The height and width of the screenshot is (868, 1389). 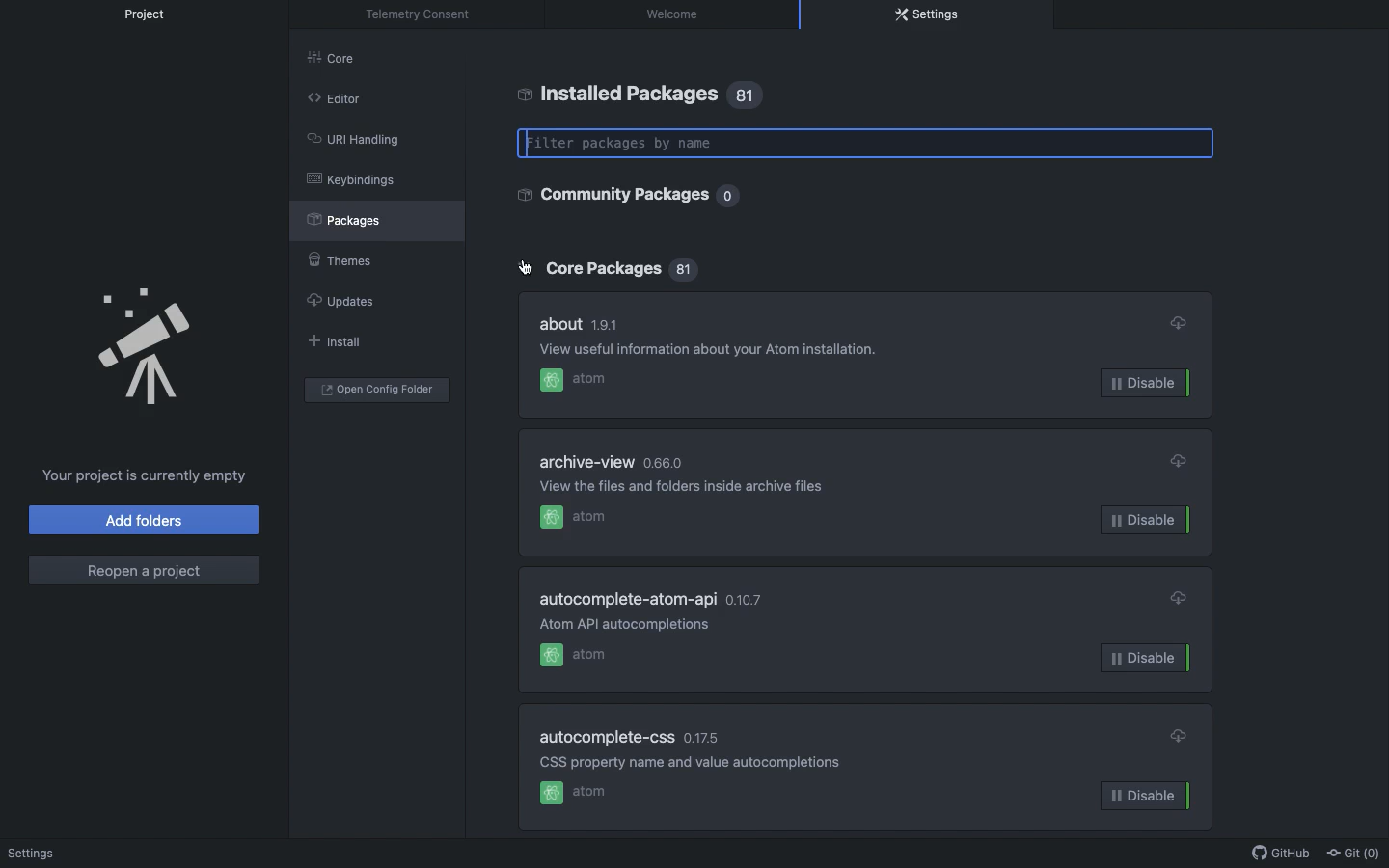 I want to click on View useful information about your Atom installation., so click(x=722, y=352).